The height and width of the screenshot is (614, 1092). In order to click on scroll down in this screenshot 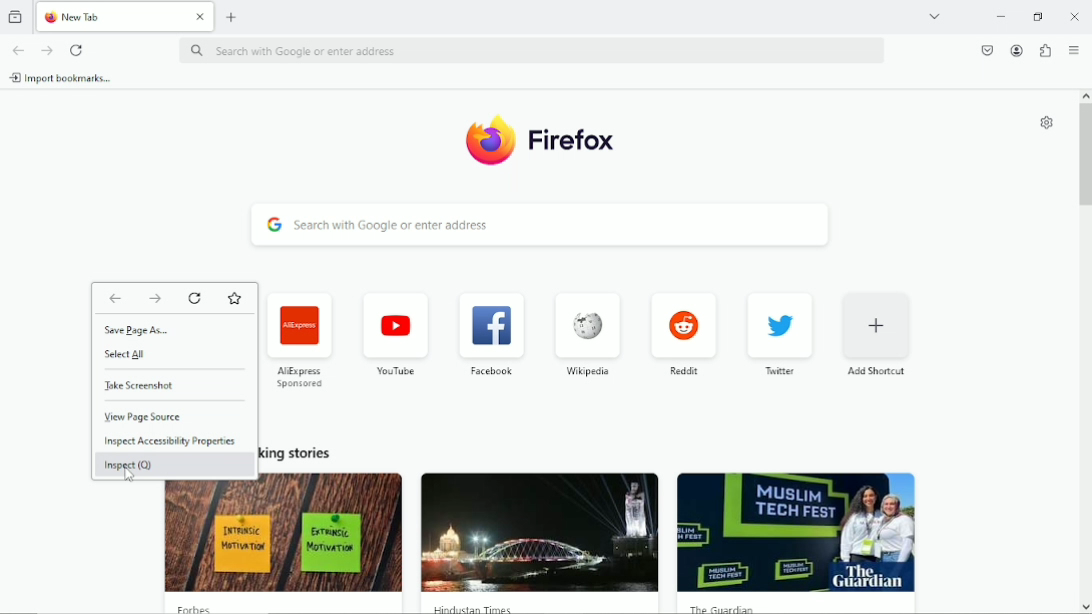, I will do `click(1084, 604)`.